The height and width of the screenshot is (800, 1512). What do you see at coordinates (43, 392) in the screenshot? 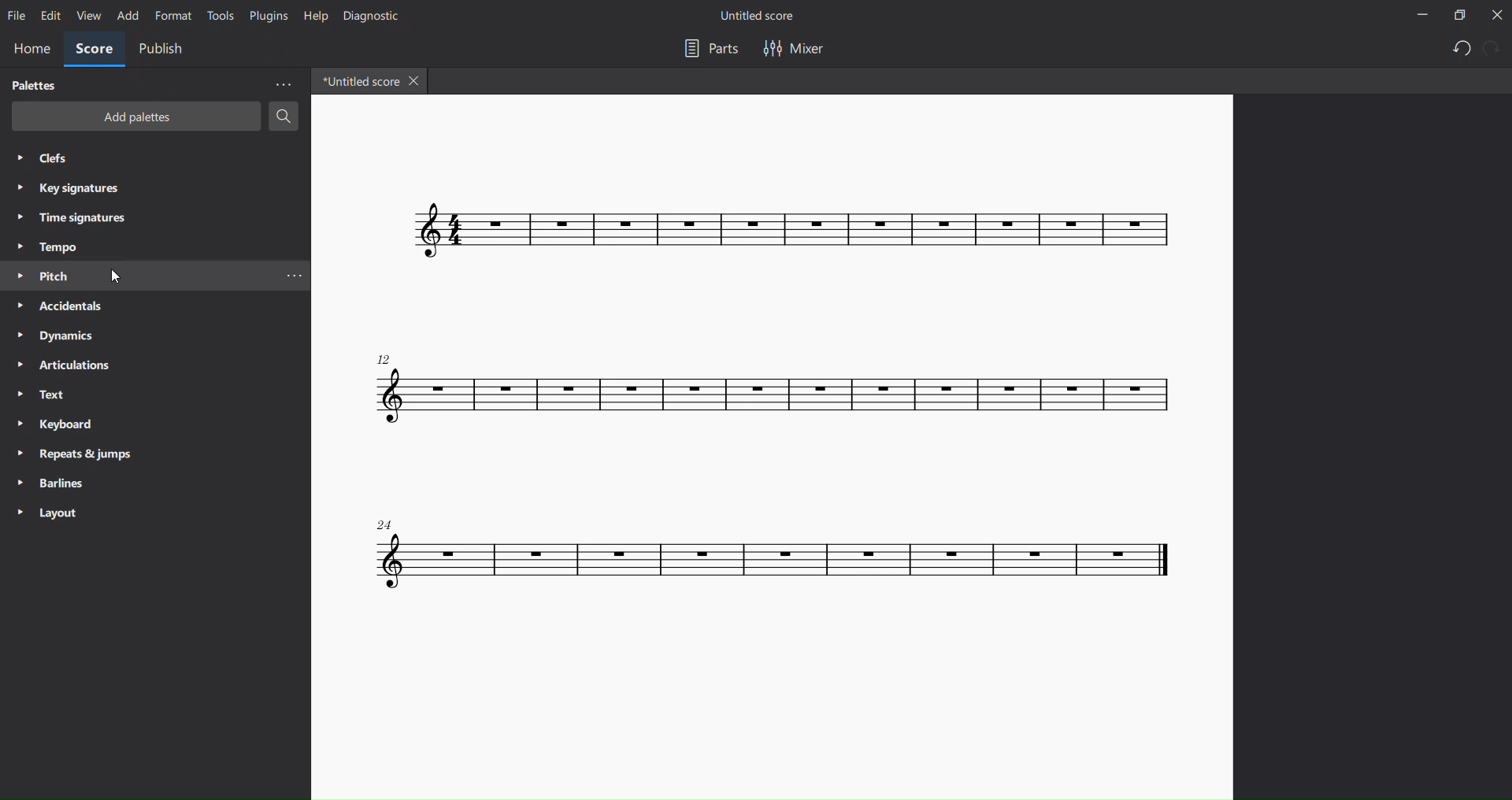
I see `text` at bounding box center [43, 392].